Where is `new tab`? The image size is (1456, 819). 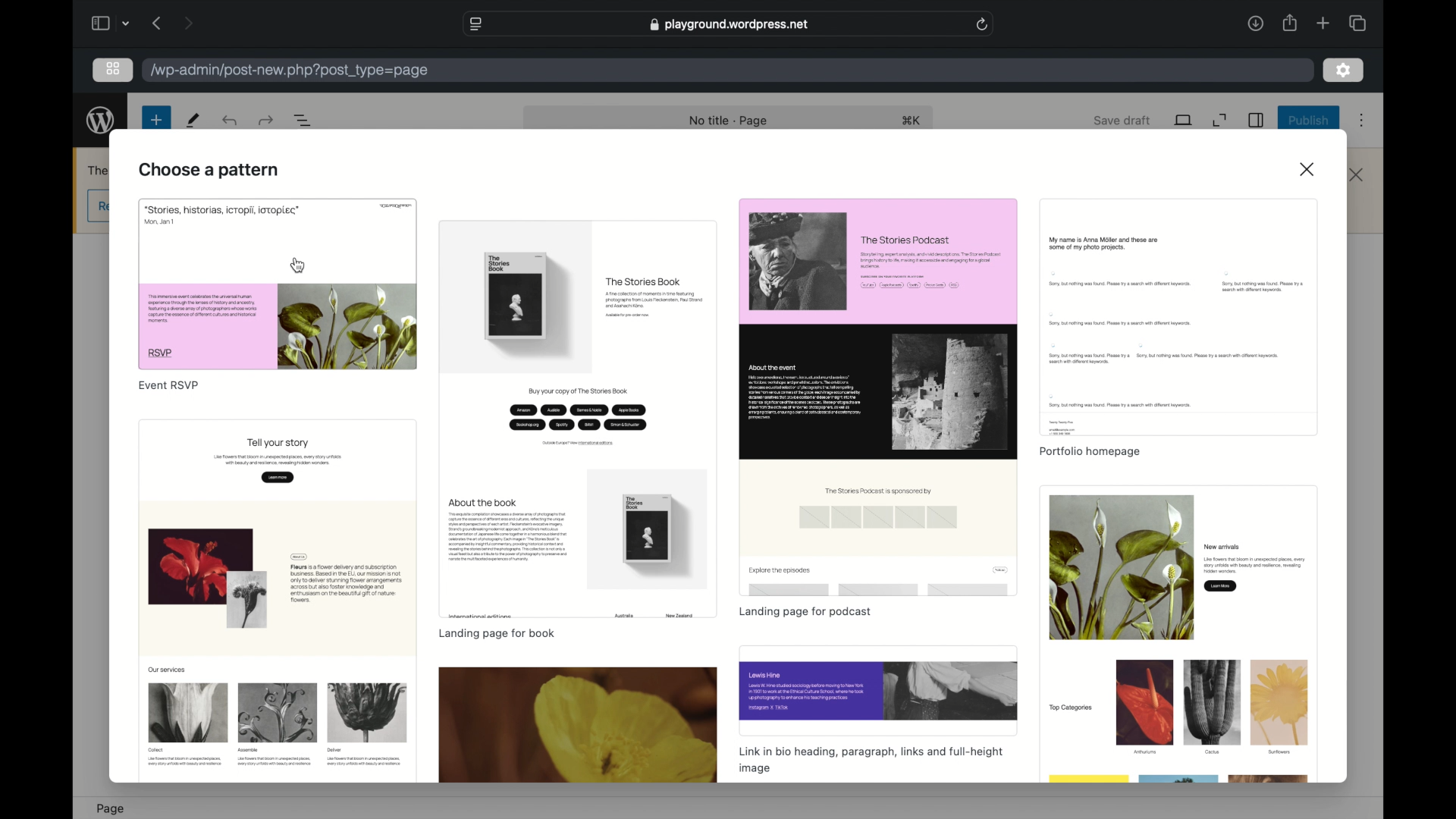
new tab is located at coordinates (1323, 24).